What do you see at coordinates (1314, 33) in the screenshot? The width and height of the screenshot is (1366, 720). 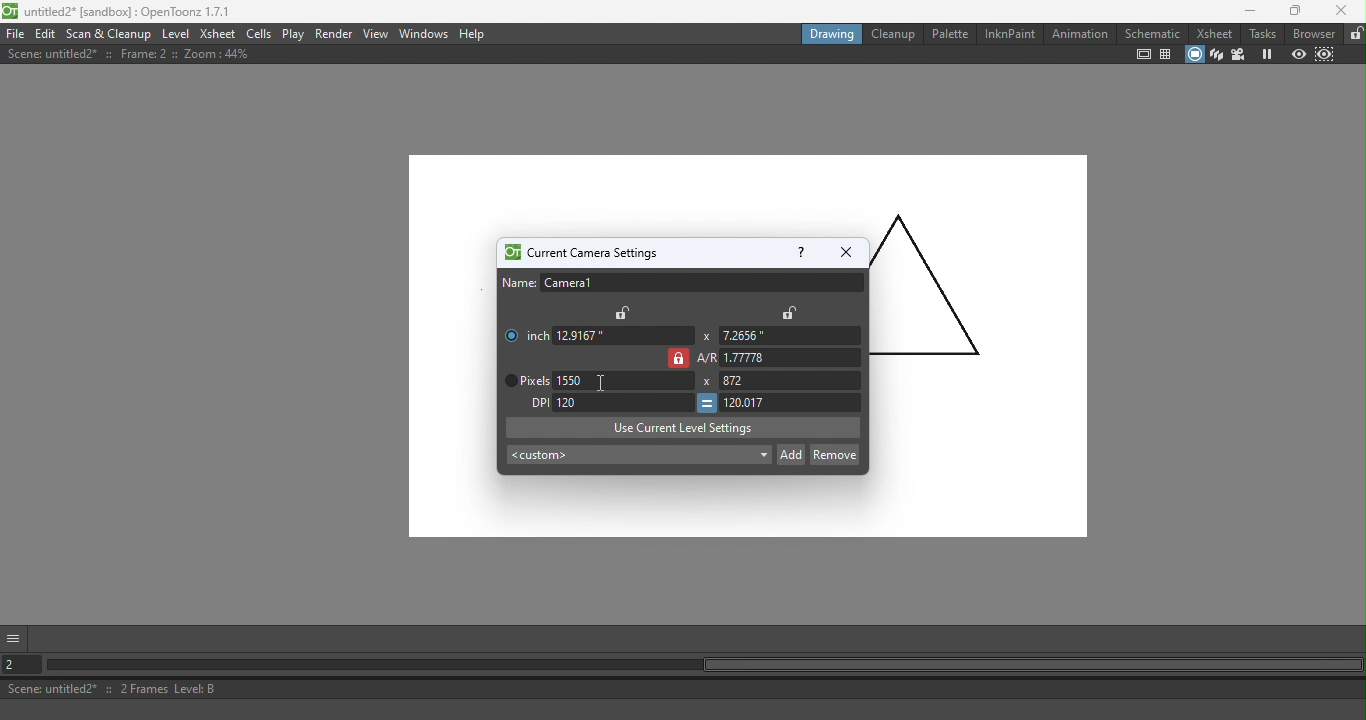 I see `Browser` at bounding box center [1314, 33].